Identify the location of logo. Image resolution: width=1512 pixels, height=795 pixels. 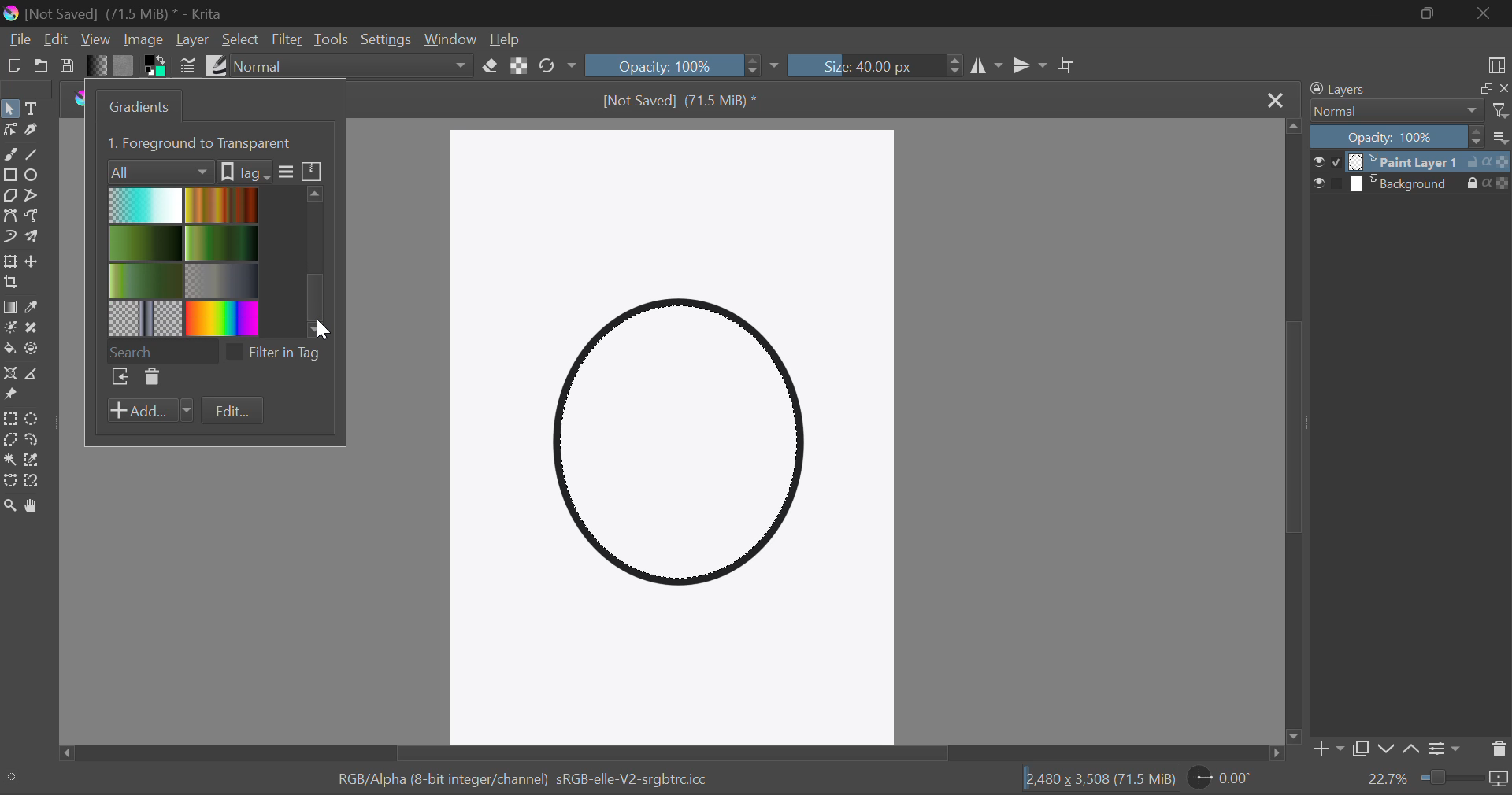
(14, 15).